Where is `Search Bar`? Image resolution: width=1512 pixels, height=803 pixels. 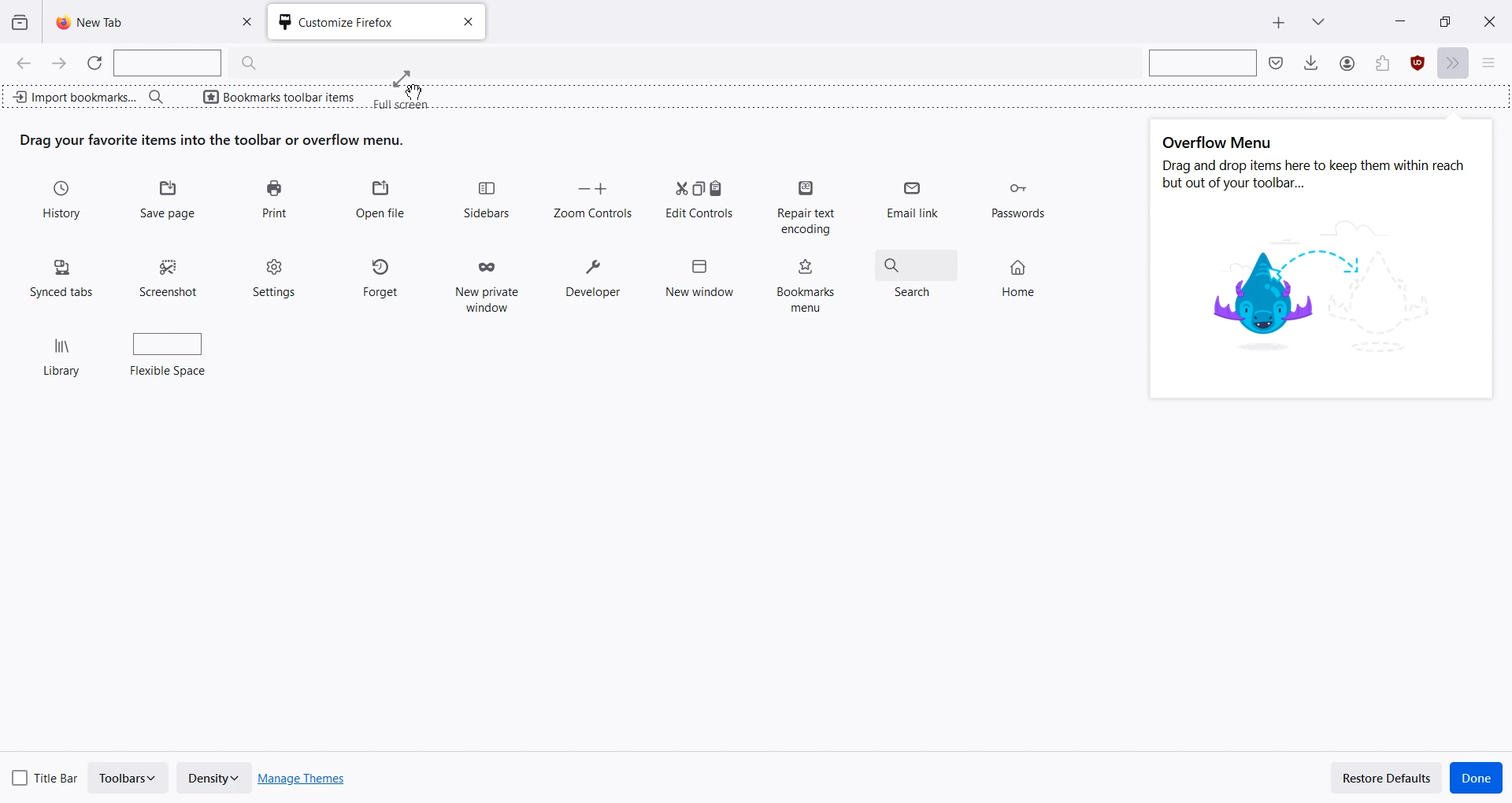 Search Bar is located at coordinates (195, 63).